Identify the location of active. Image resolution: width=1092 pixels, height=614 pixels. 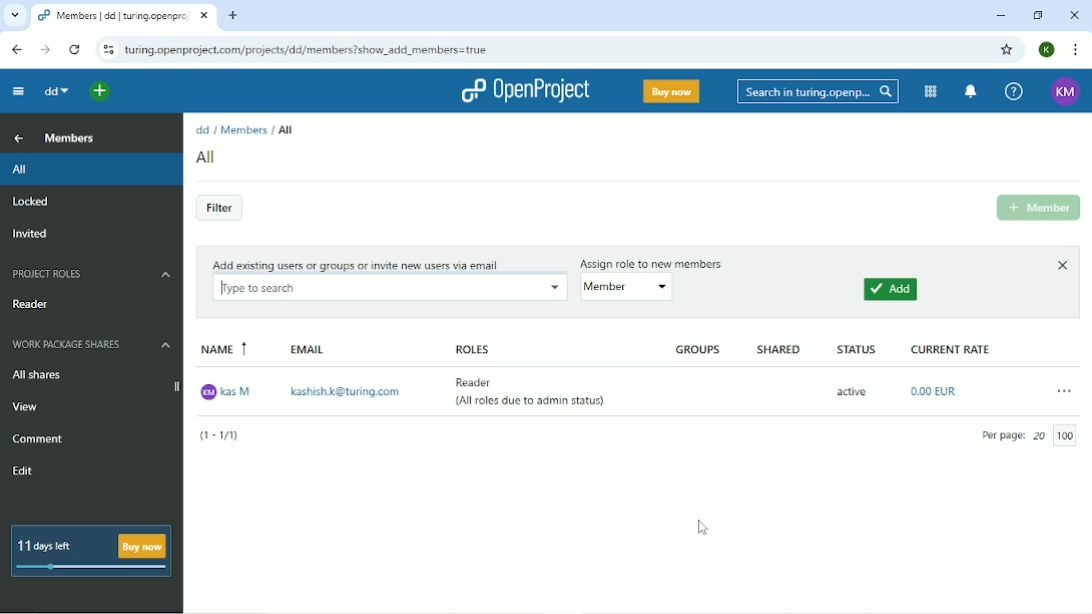
(851, 391).